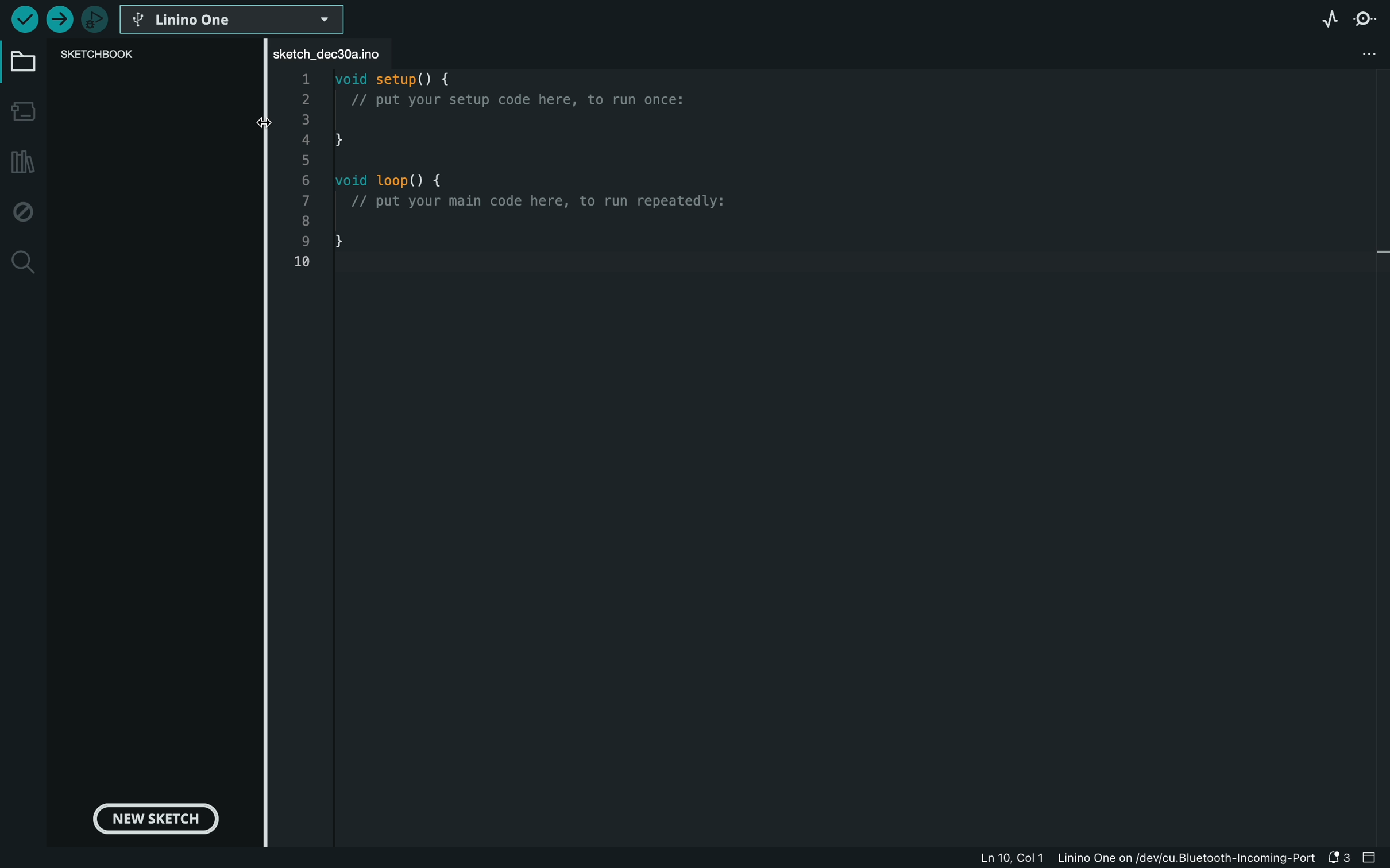 This screenshot has width=1390, height=868. What do you see at coordinates (1371, 858) in the screenshot?
I see `close bar` at bounding box center [1371, 858].